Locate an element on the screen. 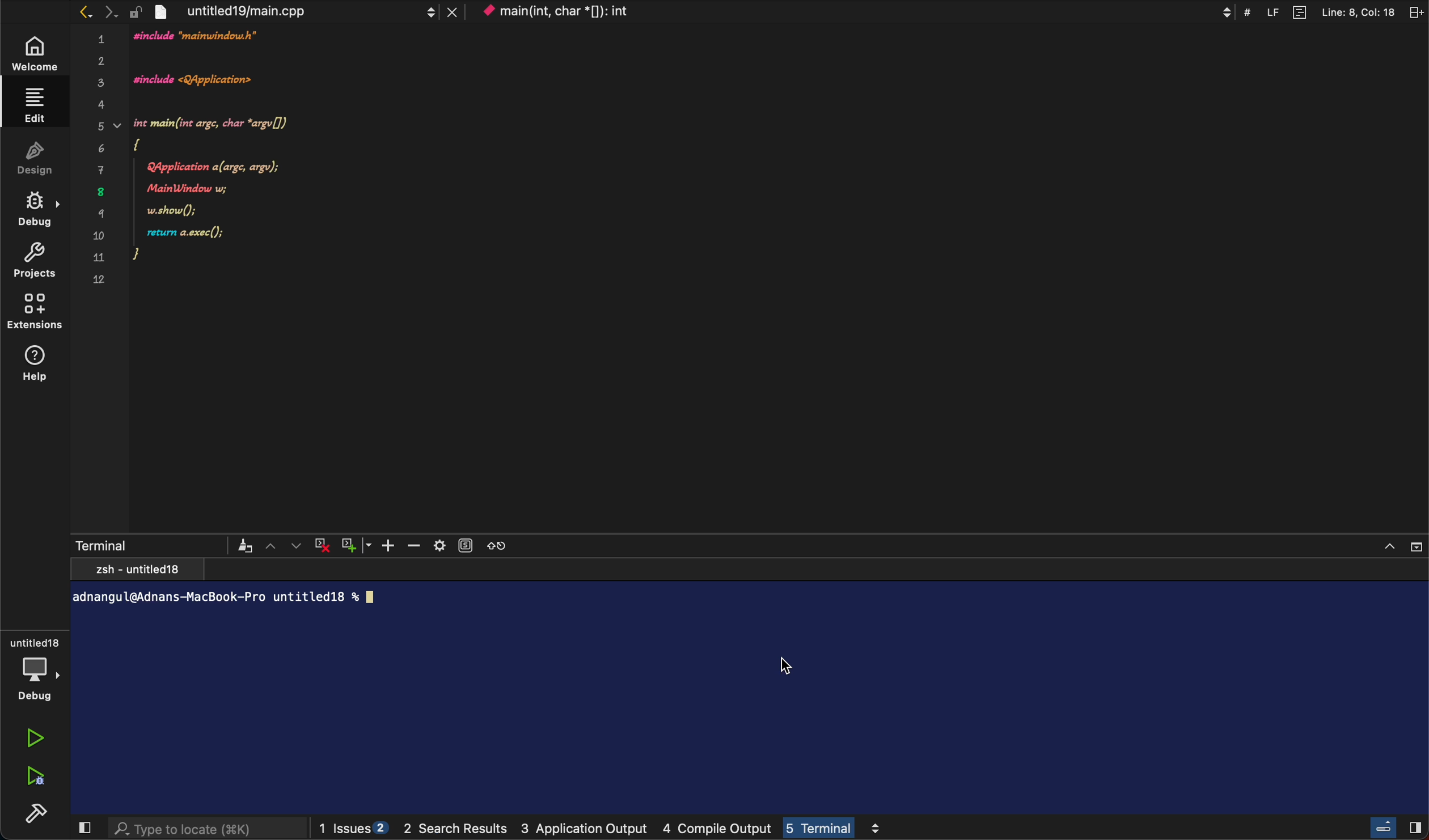  welcome is located at coordinates (35, 54).